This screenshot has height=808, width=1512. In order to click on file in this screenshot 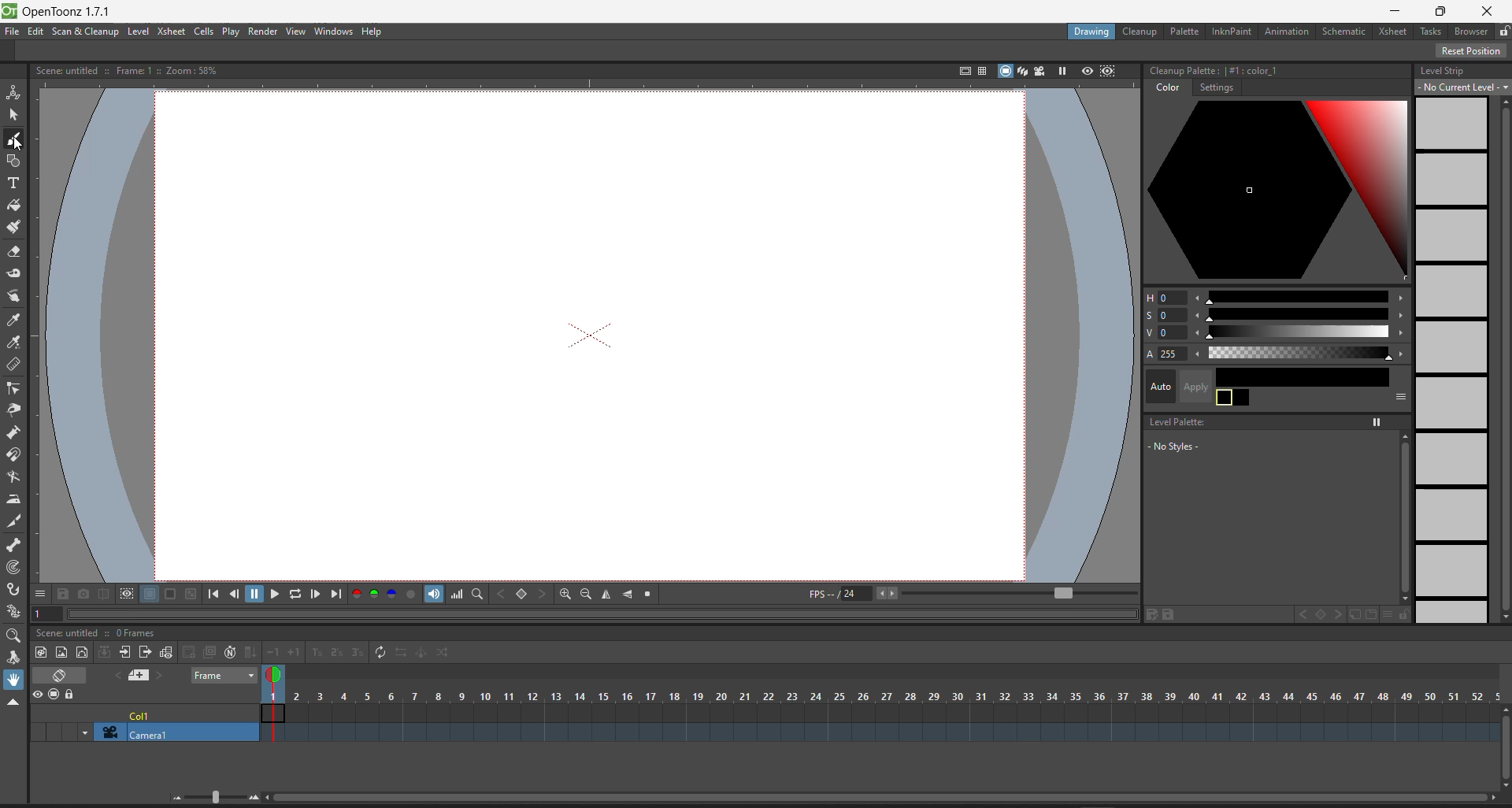, I will do `click(12, 31)`.